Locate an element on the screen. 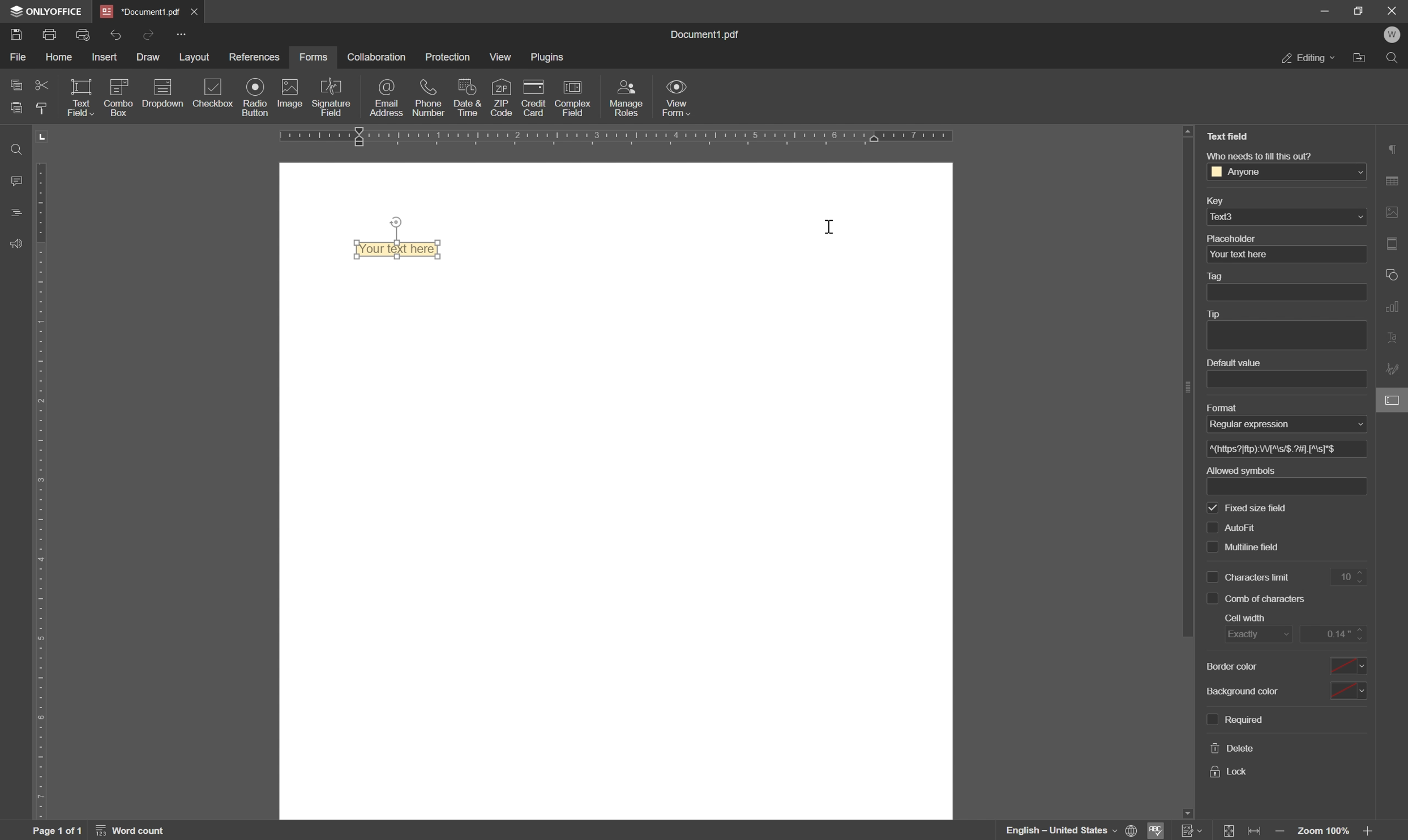 The image size is (1408, 840). tip is located at coordinates (1218, 314).